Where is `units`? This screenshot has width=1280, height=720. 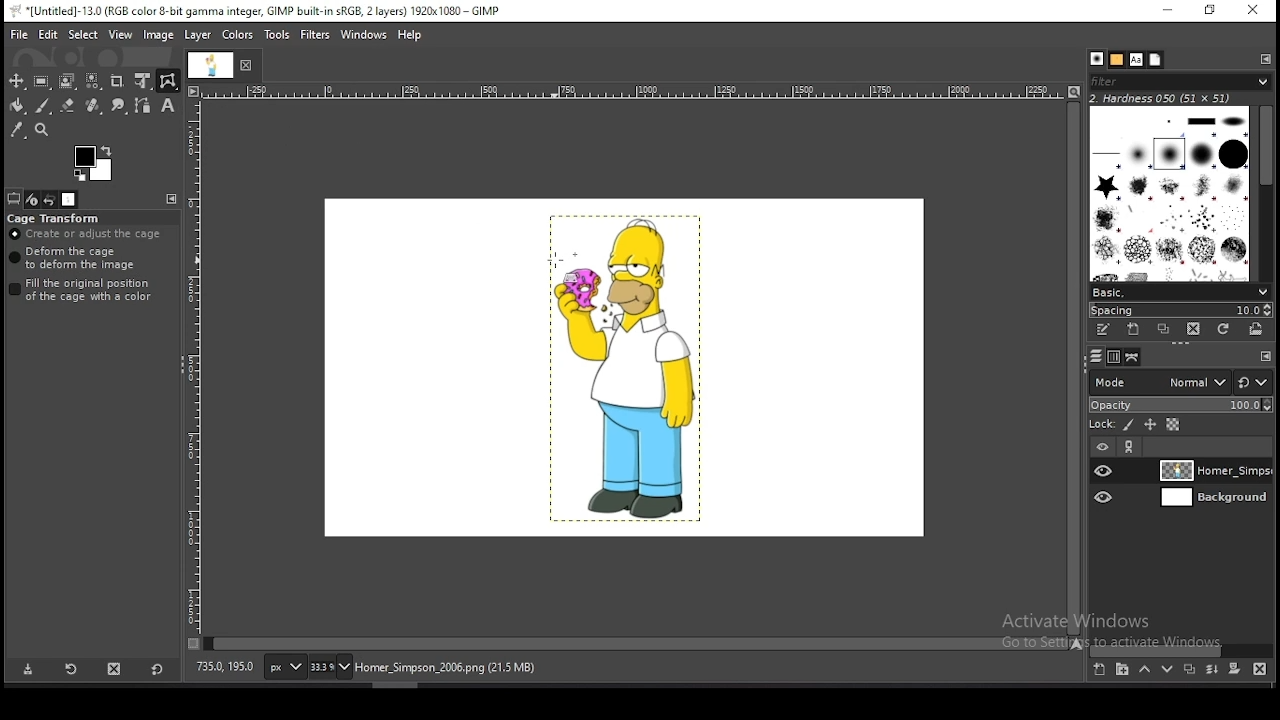
units is located at coordinates (283, 668).